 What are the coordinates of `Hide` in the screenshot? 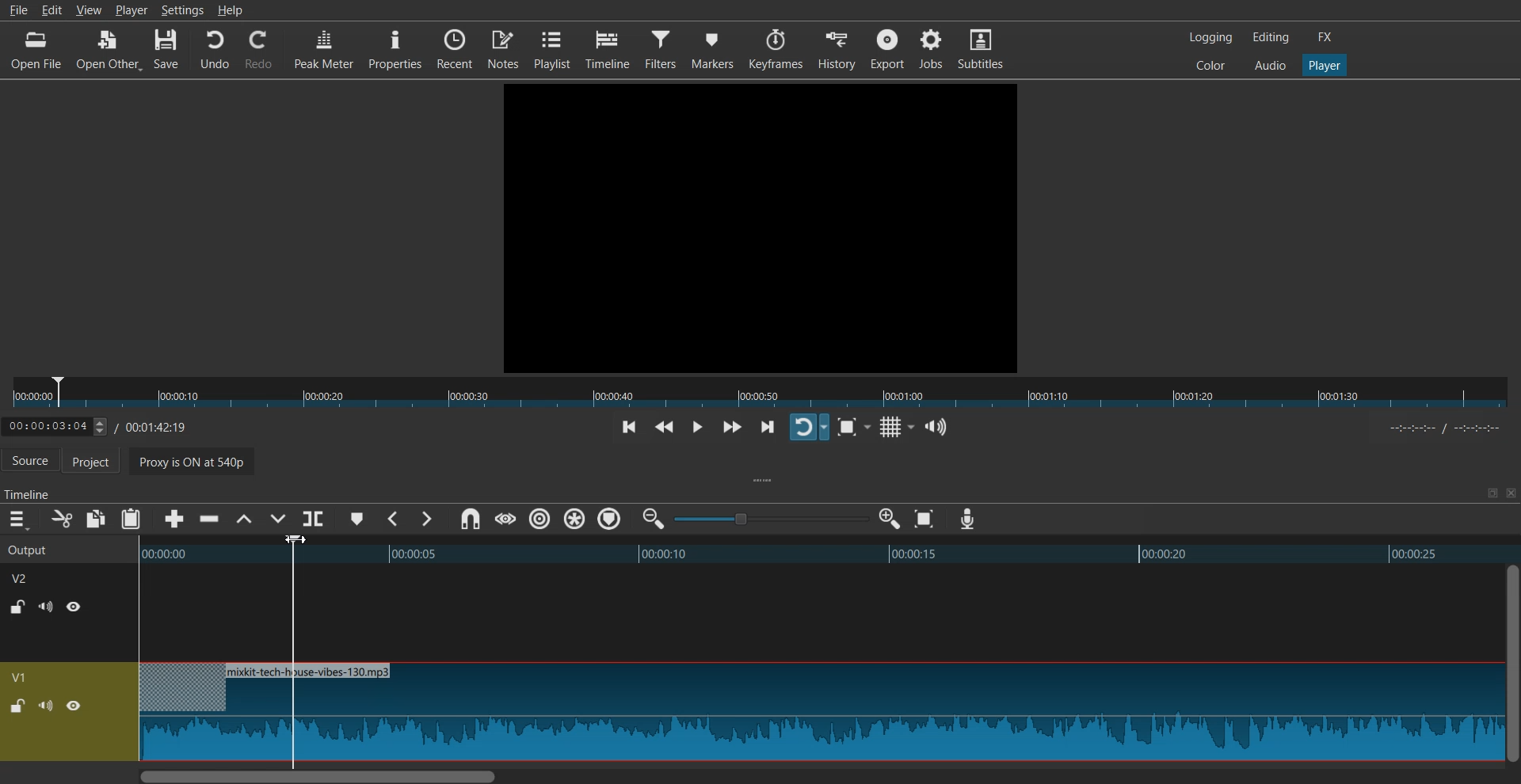 It's located at (74, 706).